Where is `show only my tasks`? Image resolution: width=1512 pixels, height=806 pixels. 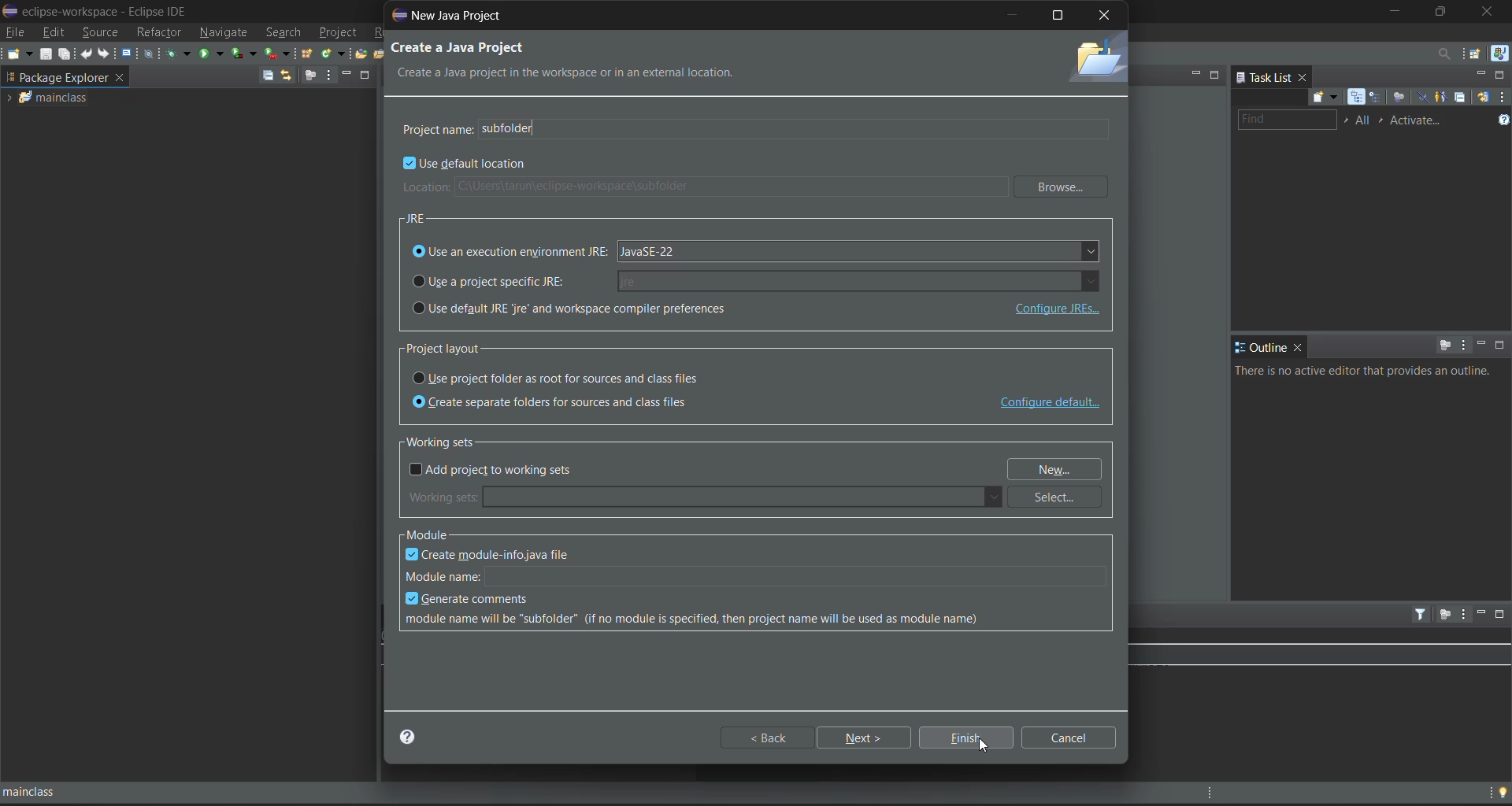 show only my tasks is located at coordinates (1443, 97).